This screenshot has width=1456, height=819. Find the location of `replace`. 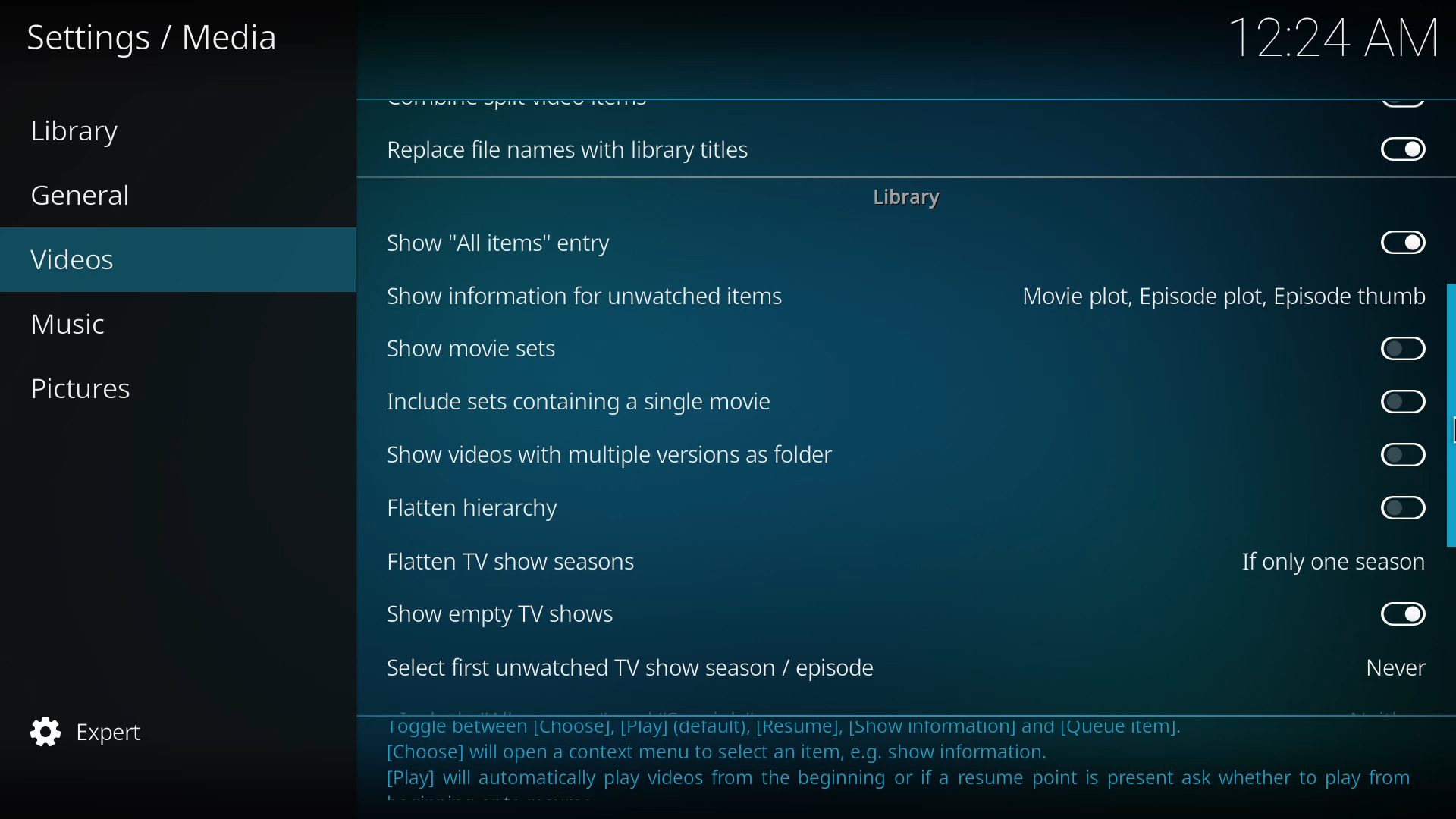

replace is located at coordinates (560, 152).